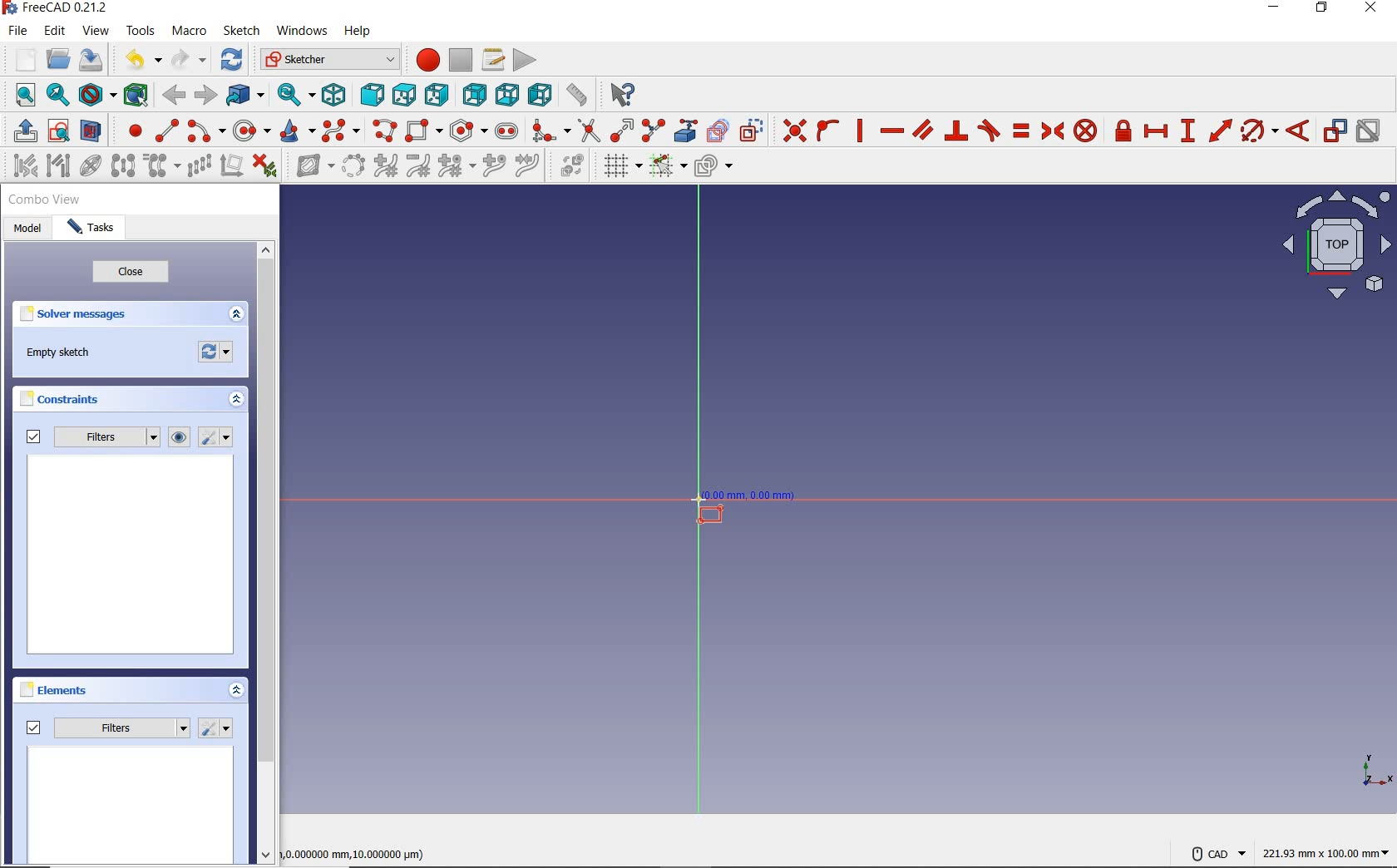 The height and width of the screenshot is (868, 1397). Describe the element at coordinates (1370, 132) in the screenshot. I see `activate/deactivate constraint` at that location.